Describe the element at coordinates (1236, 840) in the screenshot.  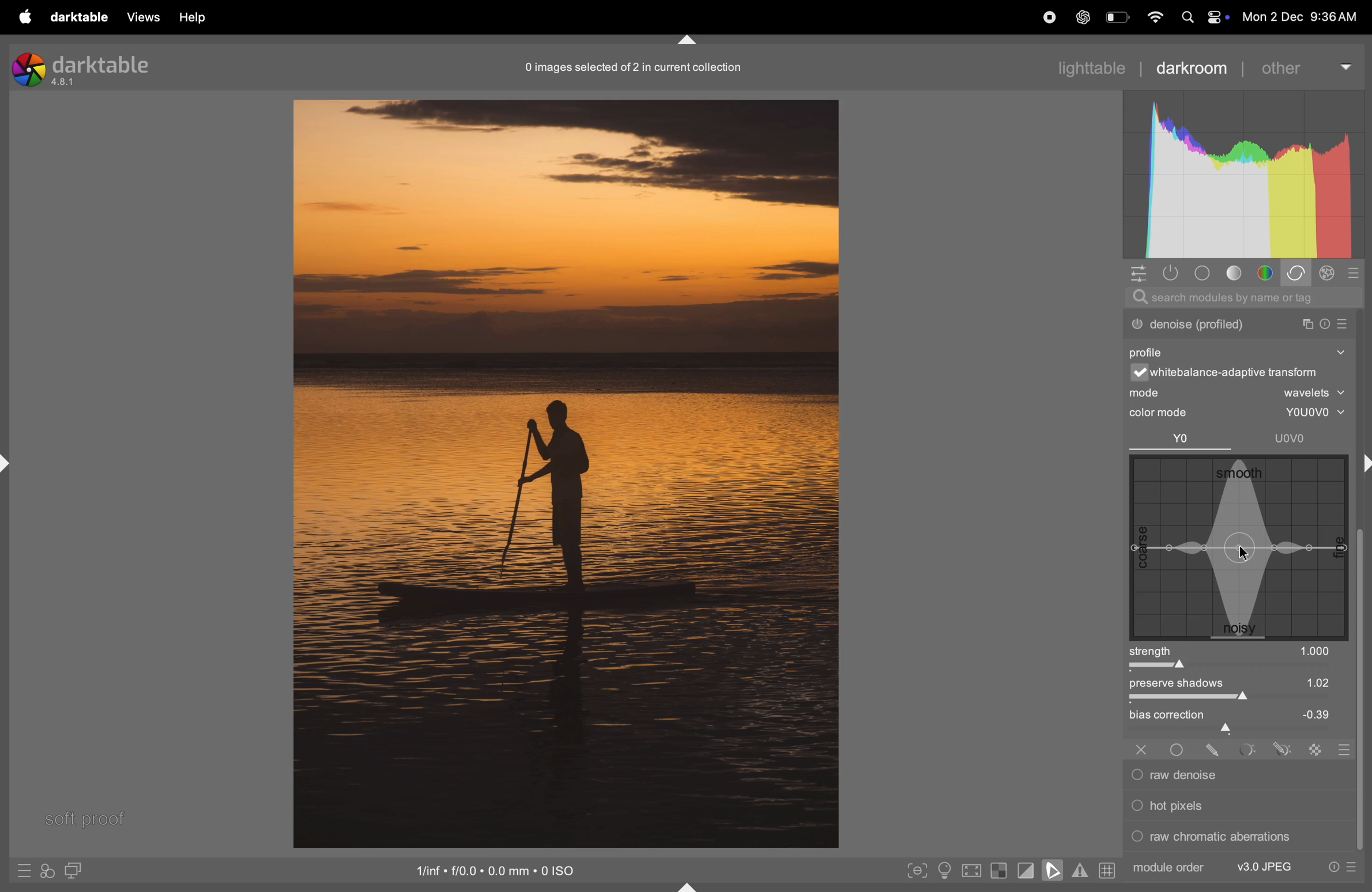
I see `raw chromatic ` at that location.